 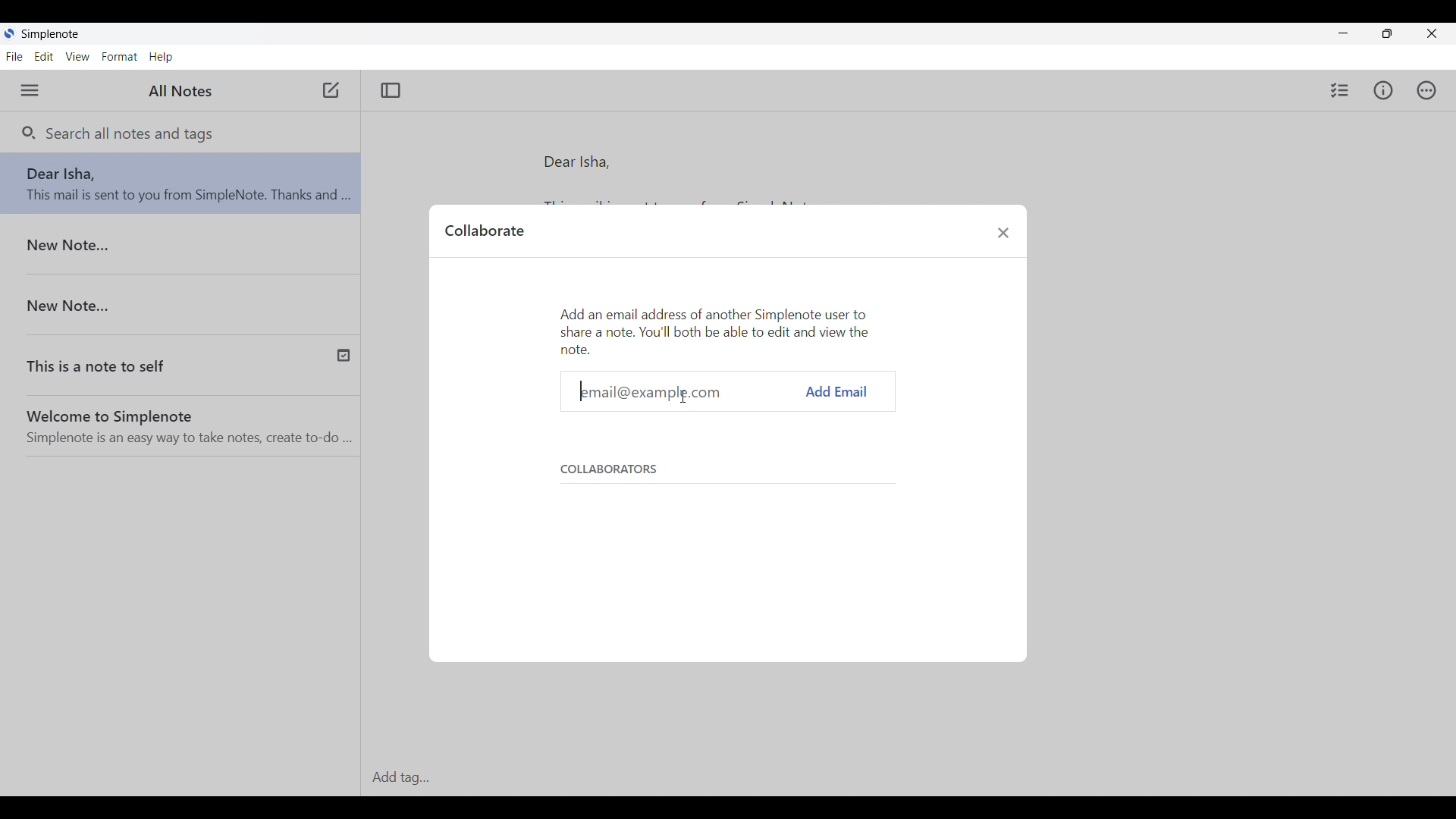 What do you see at coordinates (673, 388) in the screenshot?
I see `email@example.com` at bounding box center [673, 388].